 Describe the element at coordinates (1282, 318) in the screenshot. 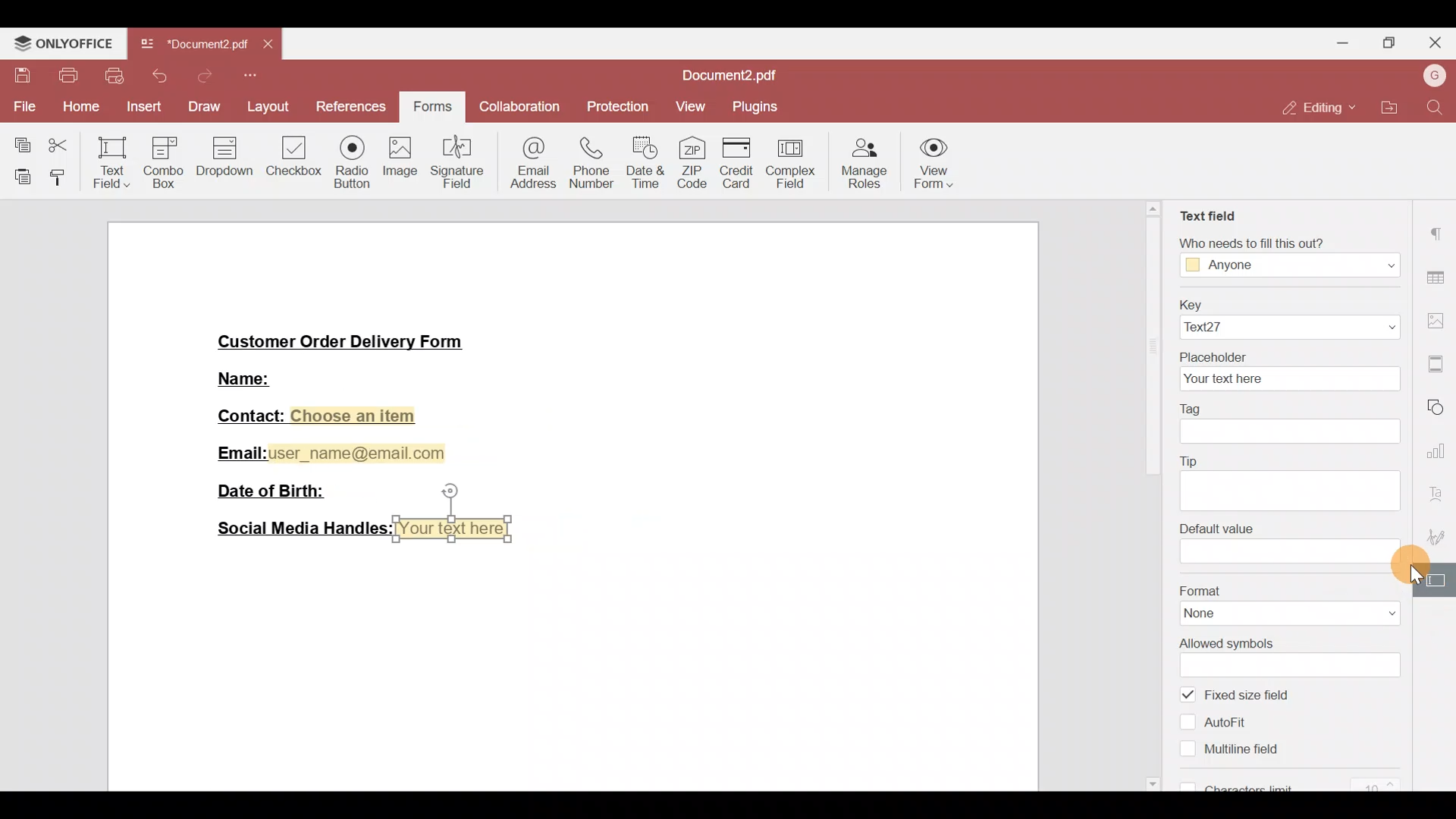

I see `Key` at that location.